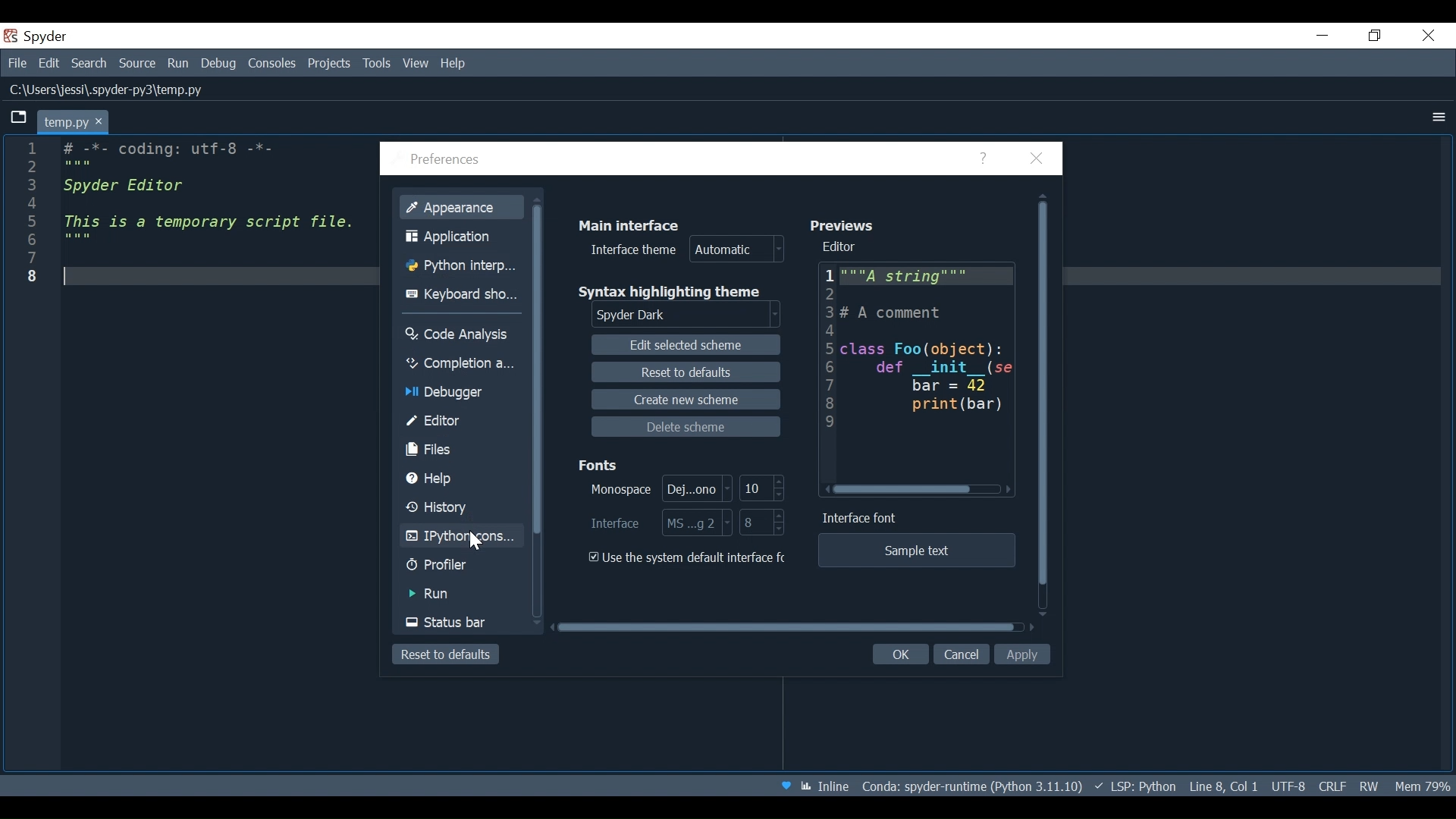  What do you see at coordinates (459, 209) in the screenshot?
I see `Appearance` at bounding box center [459, 209].